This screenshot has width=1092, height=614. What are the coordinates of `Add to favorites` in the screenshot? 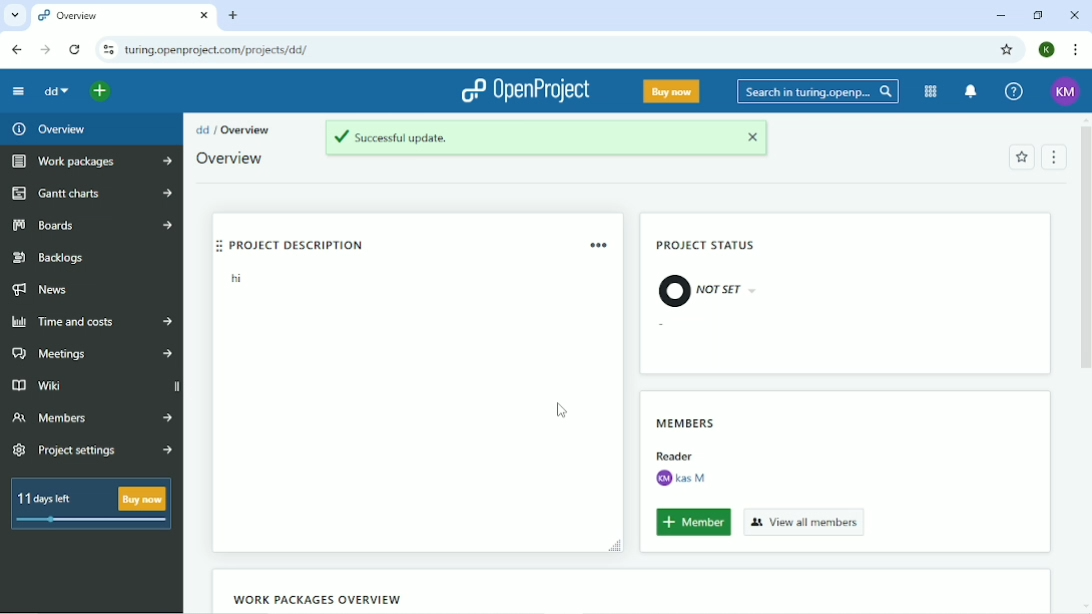 It's located at (1021, 157).